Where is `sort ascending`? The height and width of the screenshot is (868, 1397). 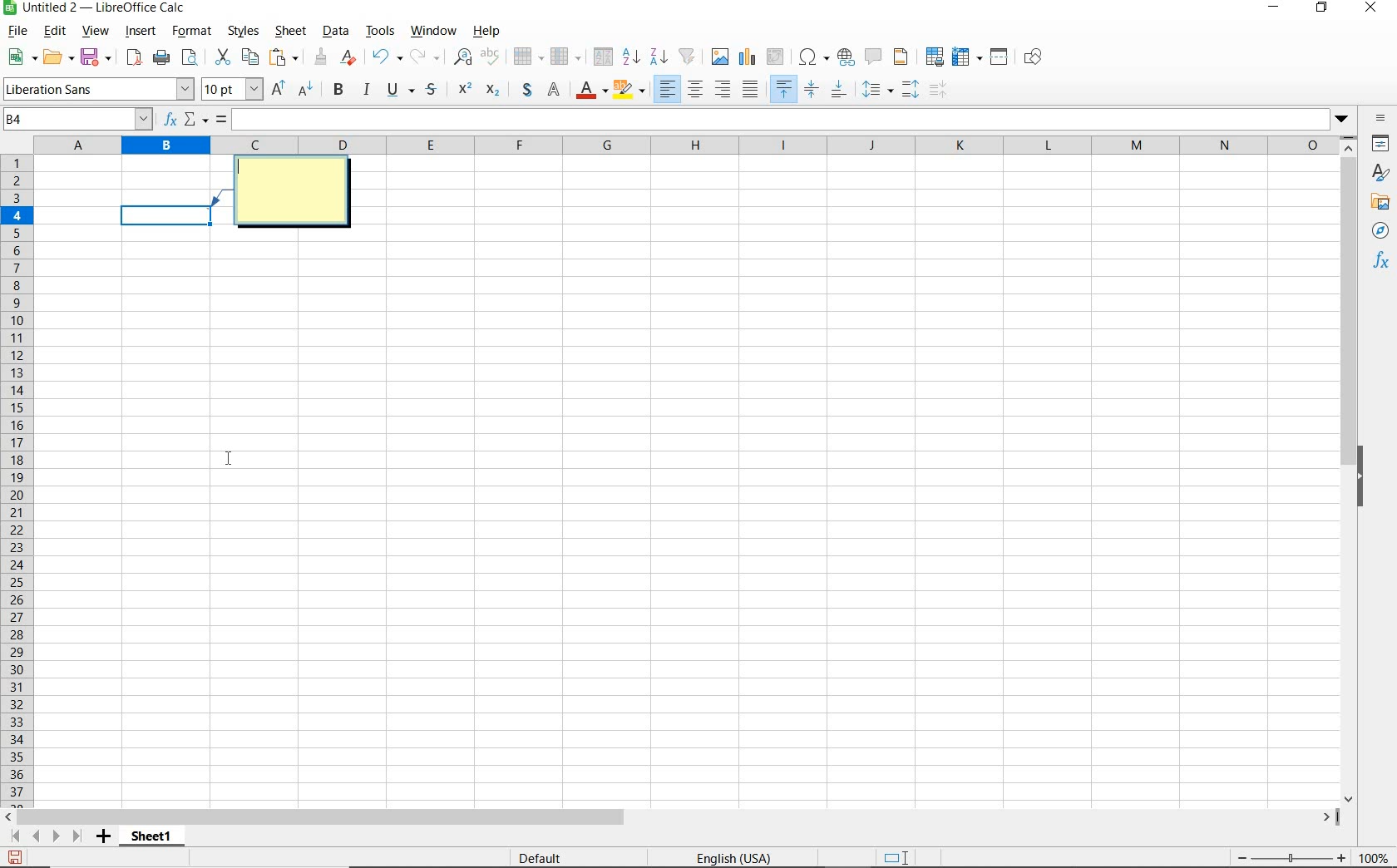
sort ascending is located at coordinates (630, 58).